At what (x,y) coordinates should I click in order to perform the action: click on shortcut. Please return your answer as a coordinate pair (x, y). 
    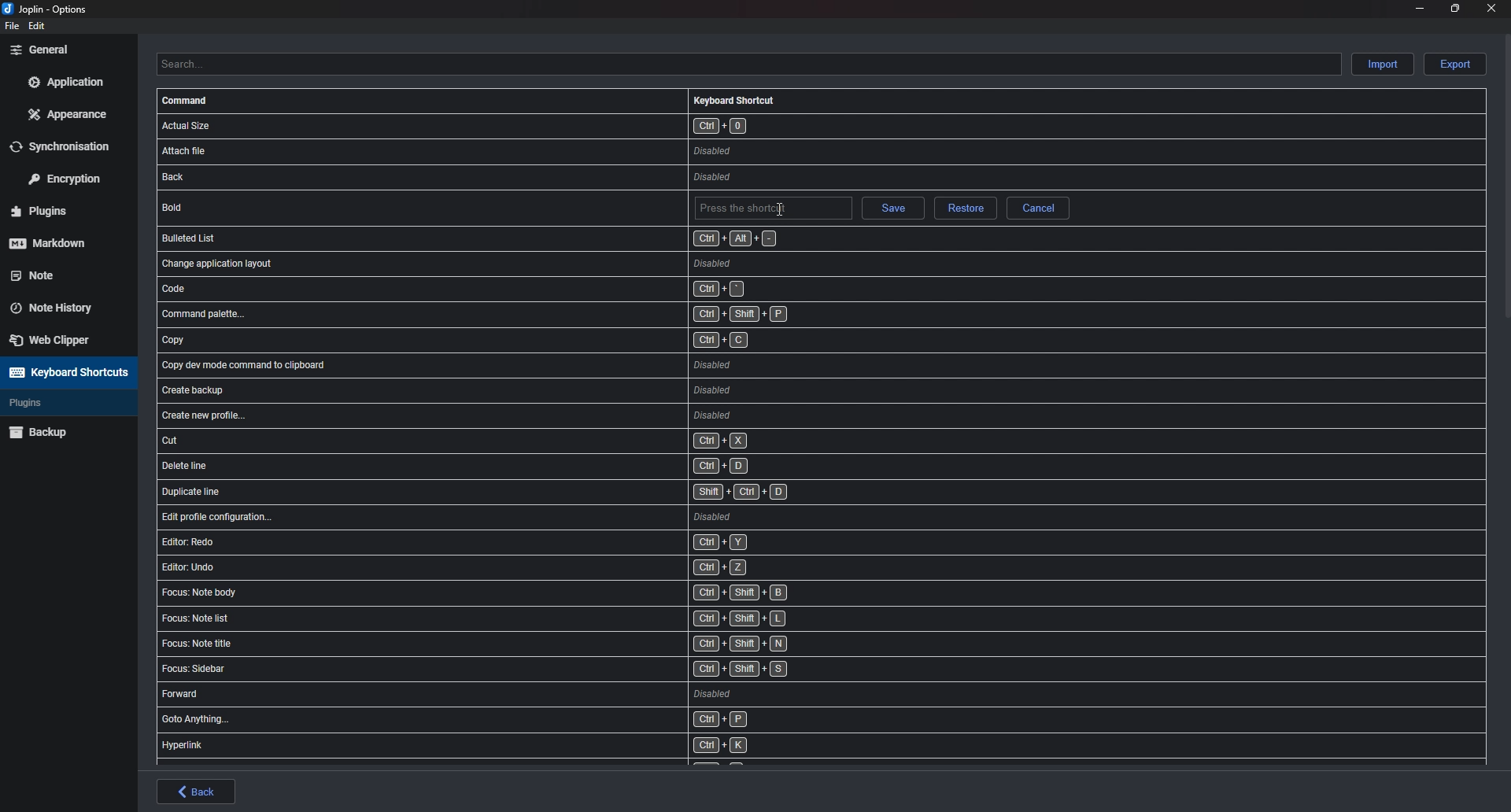
    Looking at the image, I should click on (536, 390).